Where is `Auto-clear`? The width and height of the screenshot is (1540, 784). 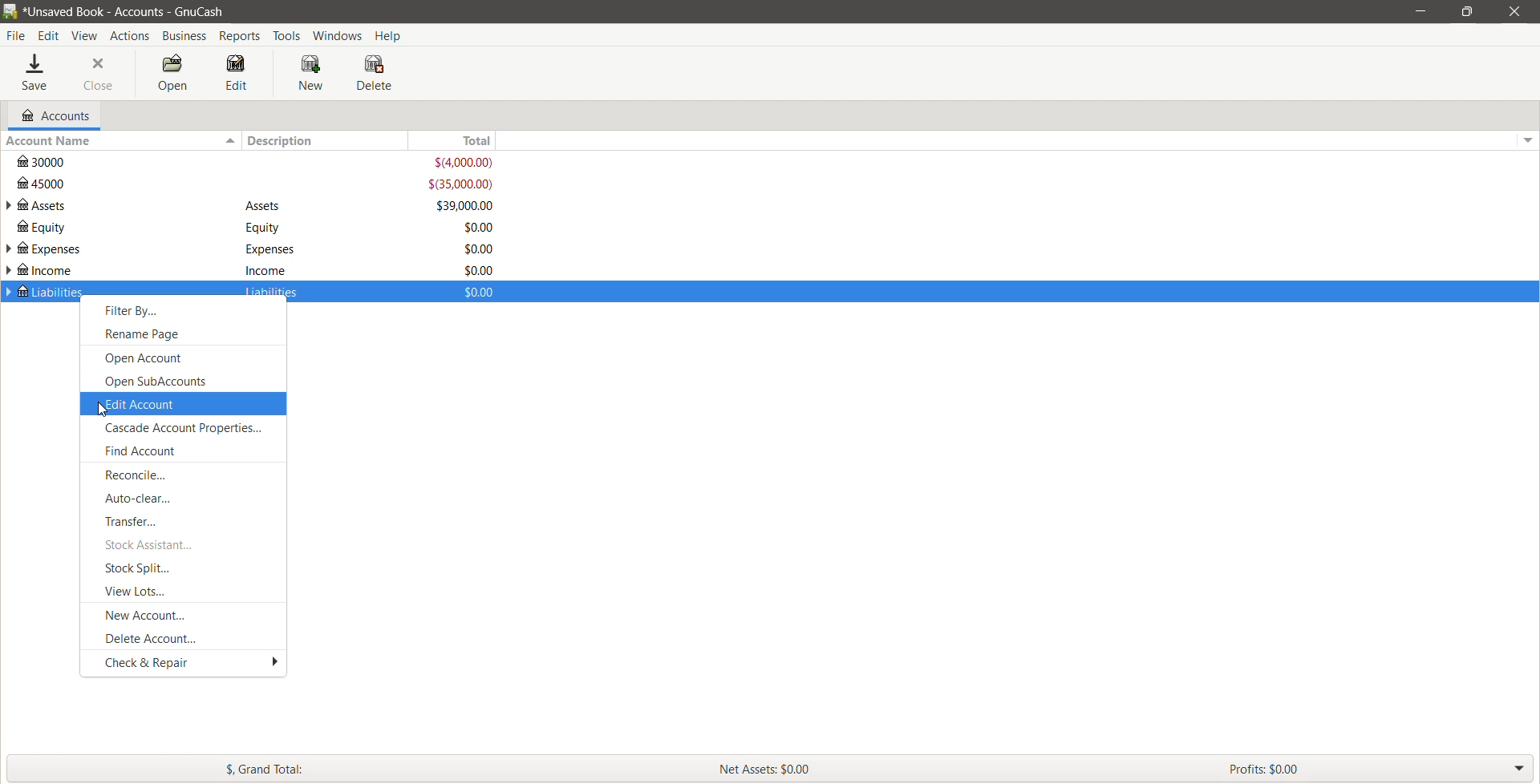
Auto-clear is located at coordinates (143, 499).